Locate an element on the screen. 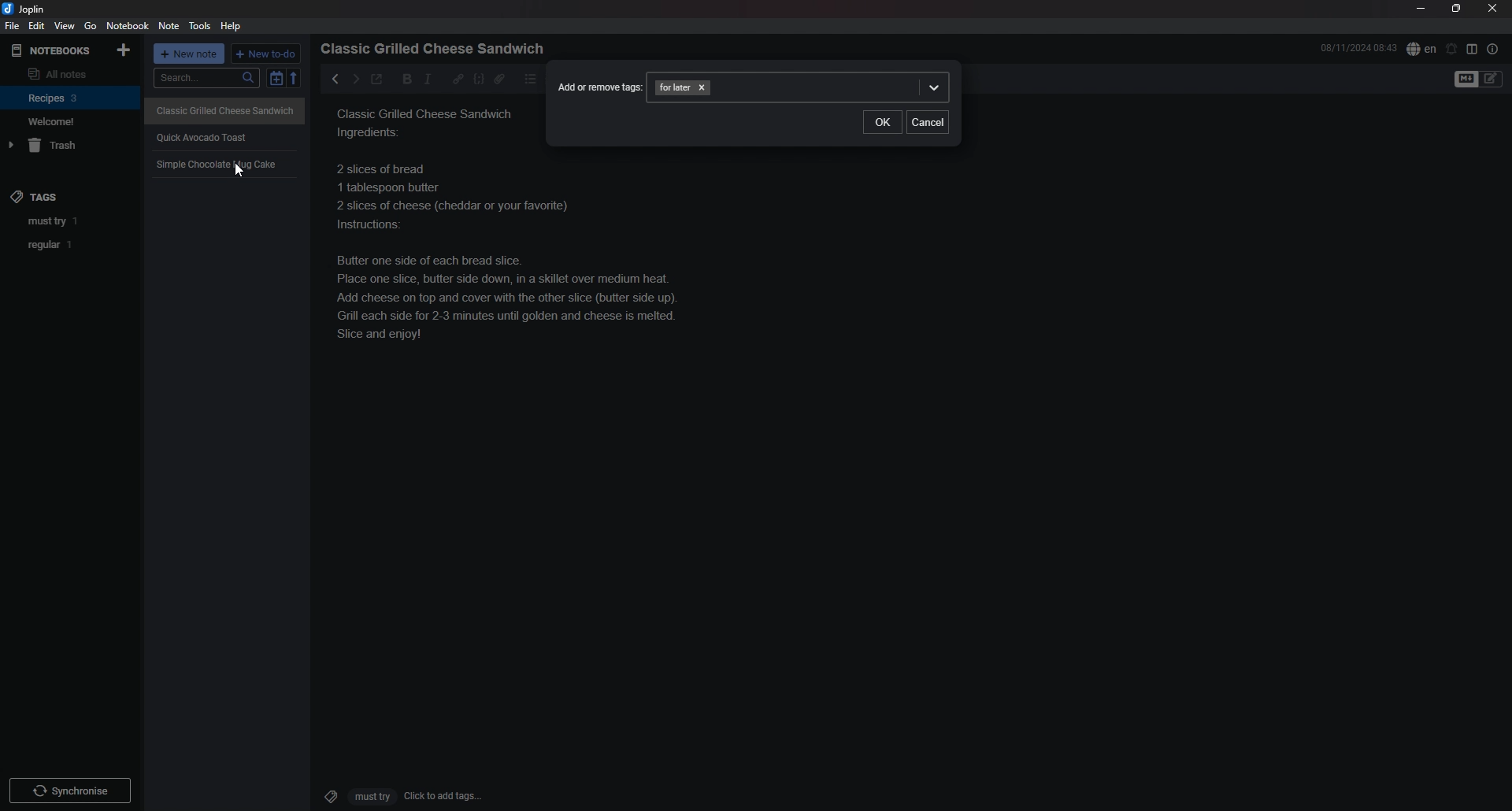 The height and width of the screenshot is (811, 1512). resize is located at coordinates (1456, 9).